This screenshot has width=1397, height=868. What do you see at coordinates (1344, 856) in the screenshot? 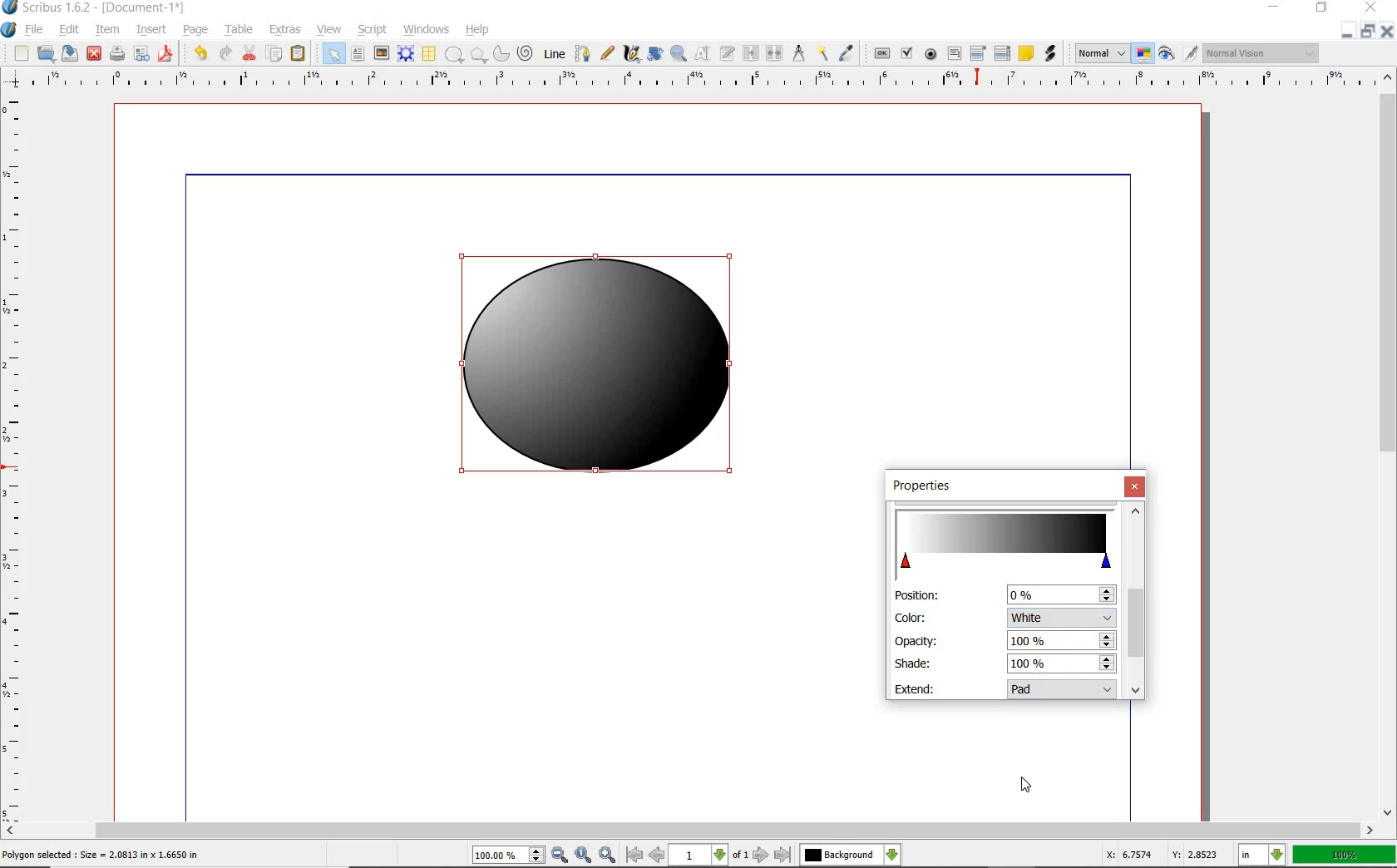
I see `ZOOM FACTOR` at bounding box center [1344, 856].